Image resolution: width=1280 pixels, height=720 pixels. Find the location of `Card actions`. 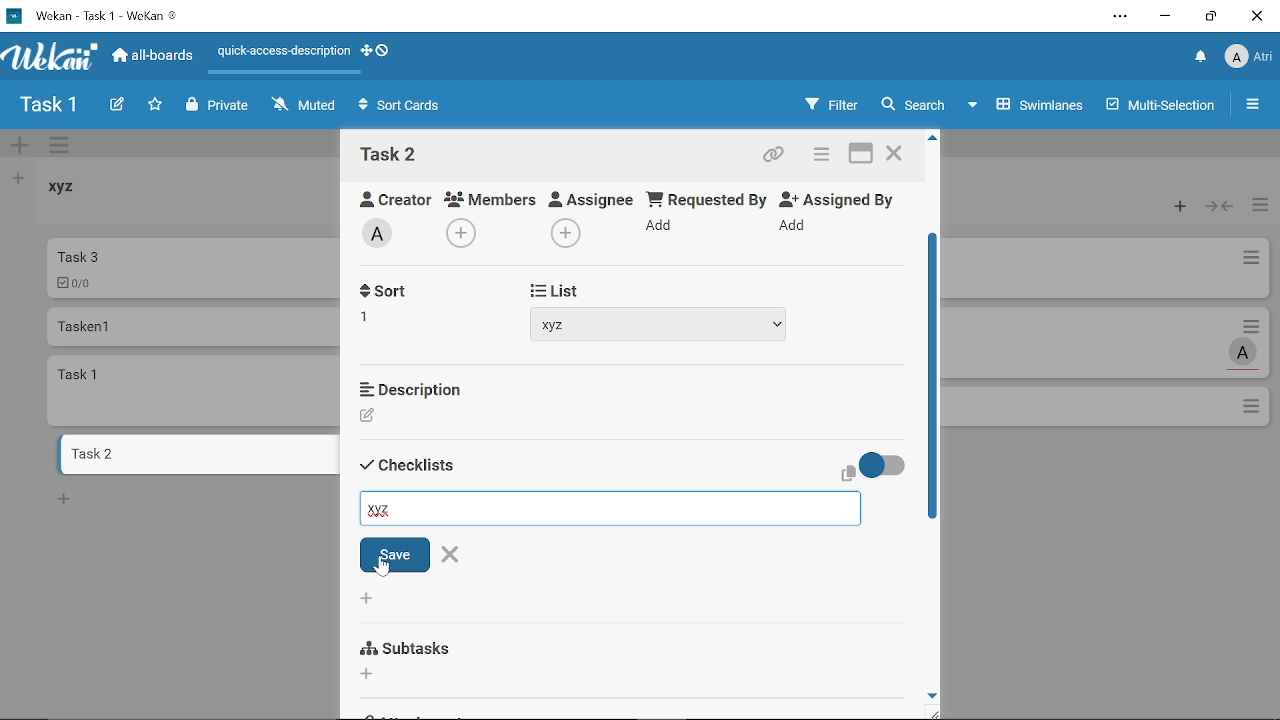

Card actions is located at coordinates (1250, 261).